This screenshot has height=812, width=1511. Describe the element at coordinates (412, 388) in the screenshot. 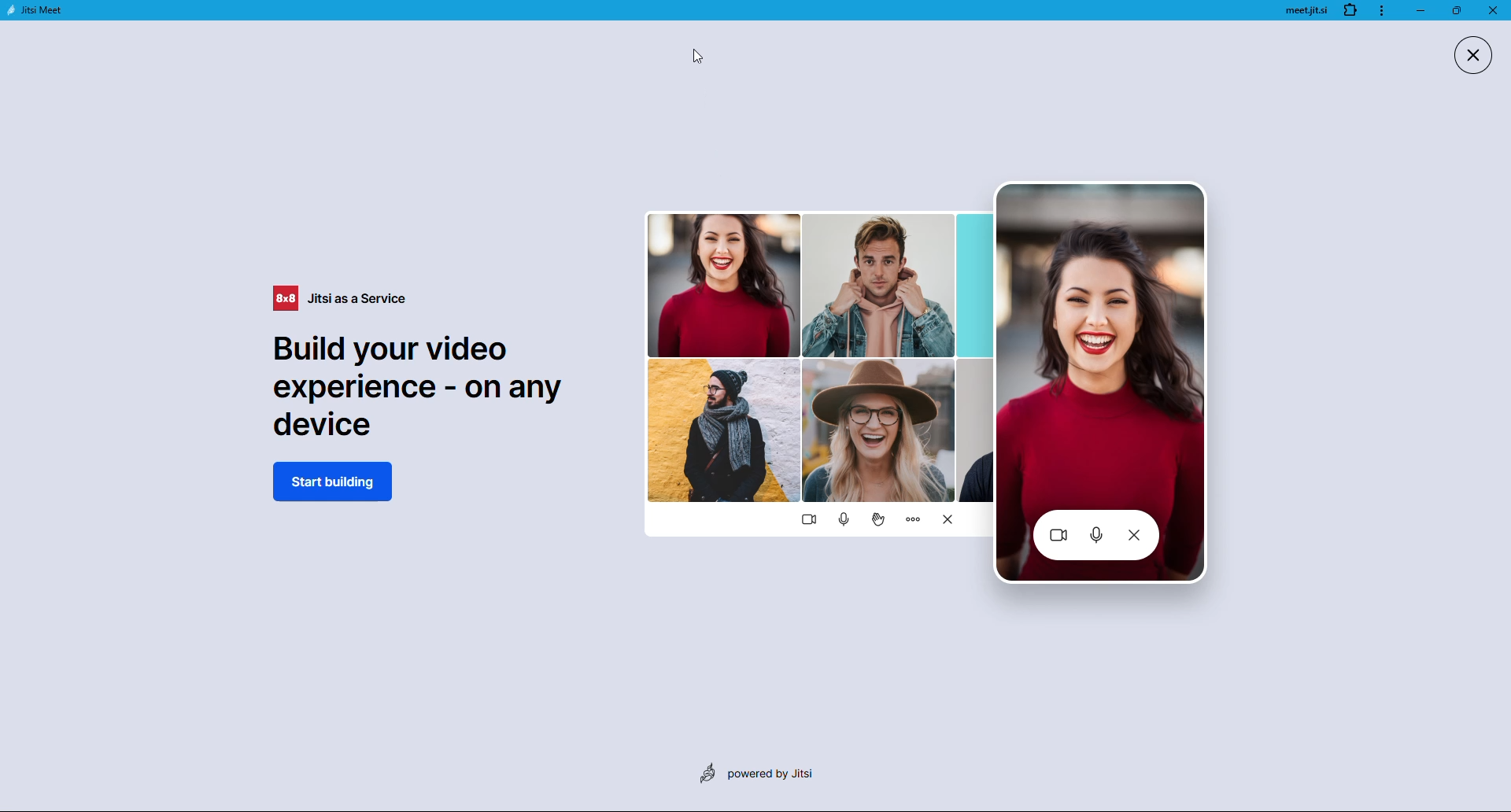

I see `Build your video experience - on any device` at that location.